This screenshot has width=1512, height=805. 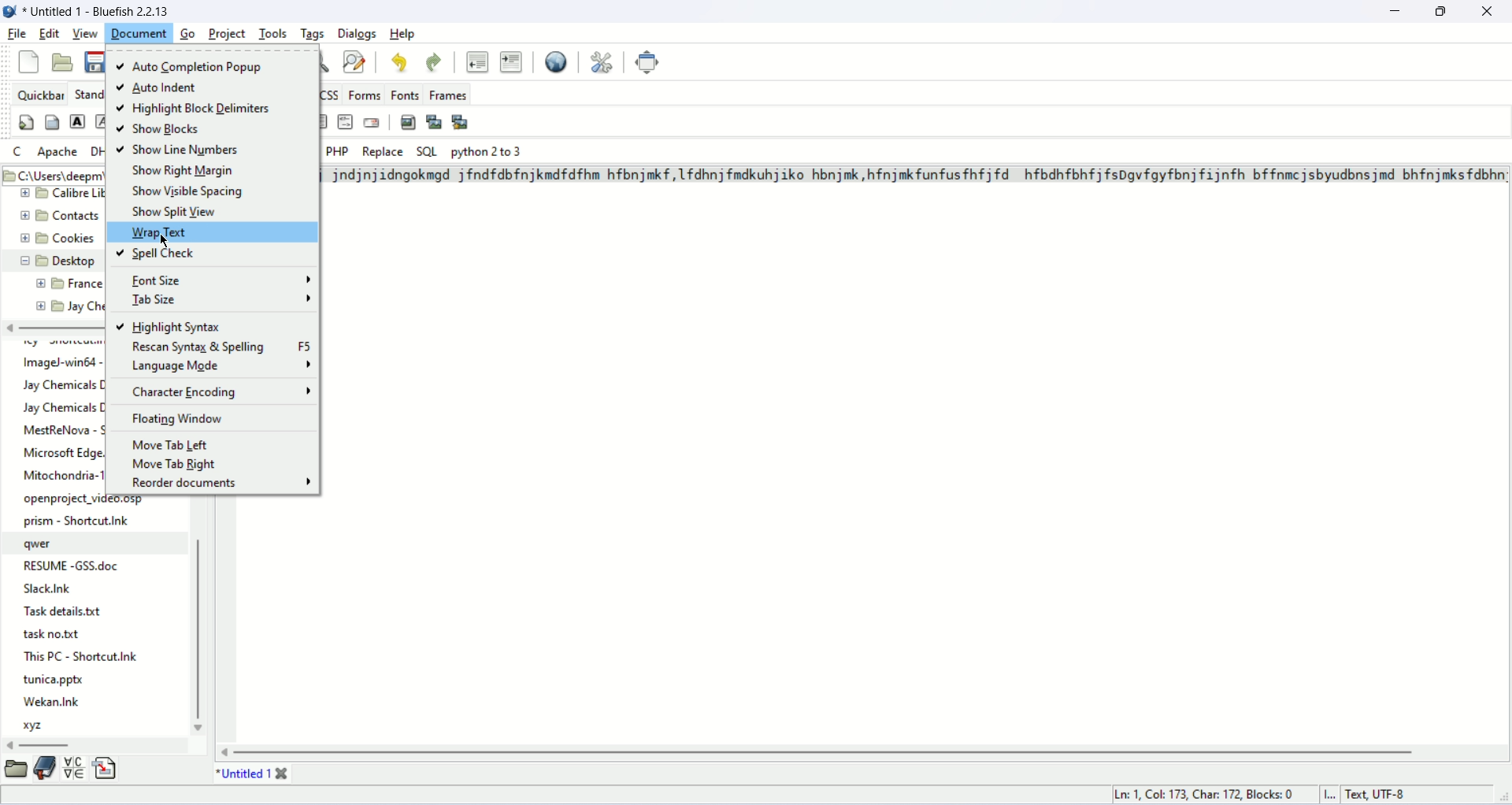 I want to click on show split view, so click(x=178, y=211).